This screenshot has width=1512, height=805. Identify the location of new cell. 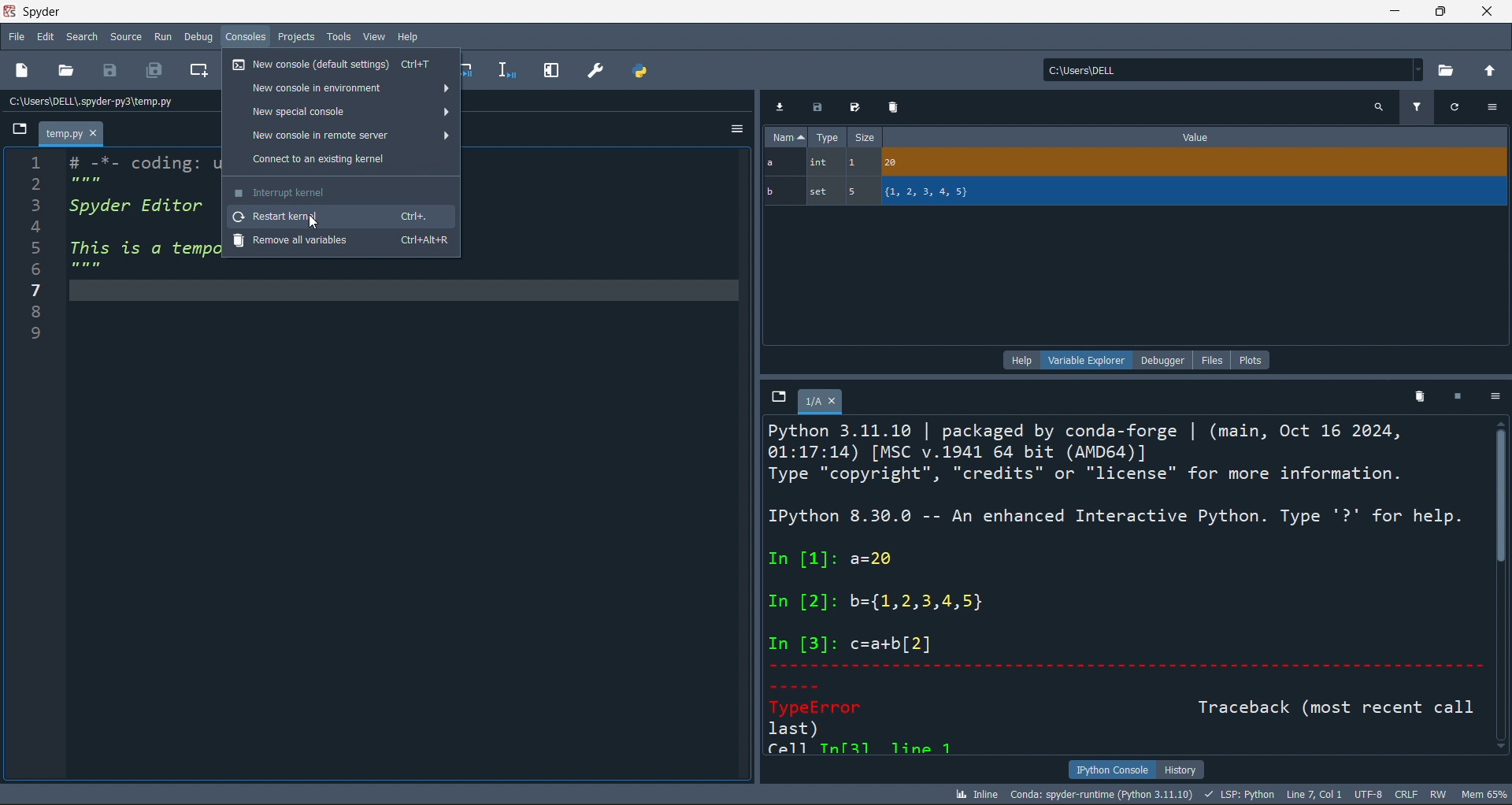
(198, 72).